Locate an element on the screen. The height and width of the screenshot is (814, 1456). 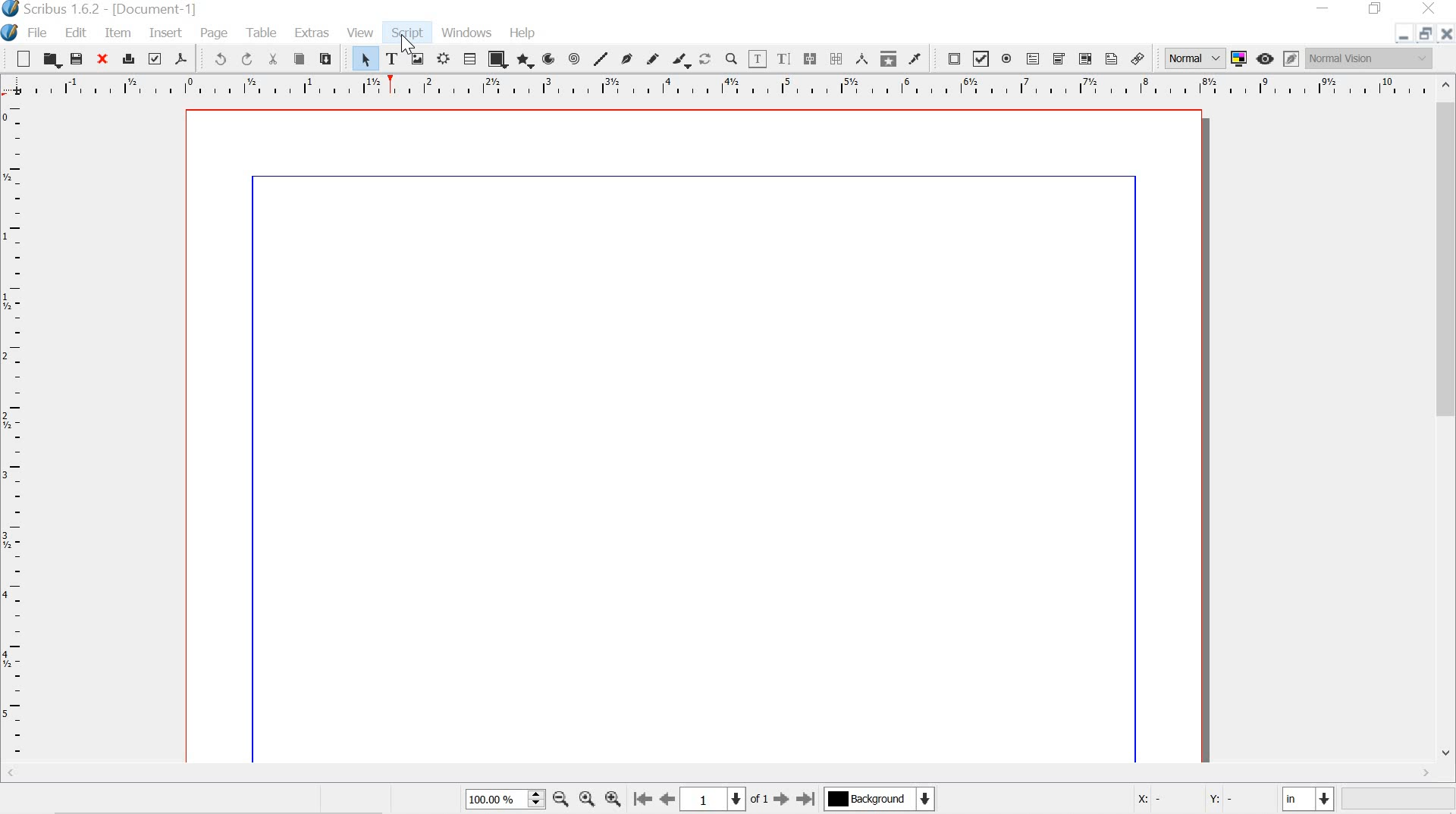
extras is located at coordinates (314, 33).